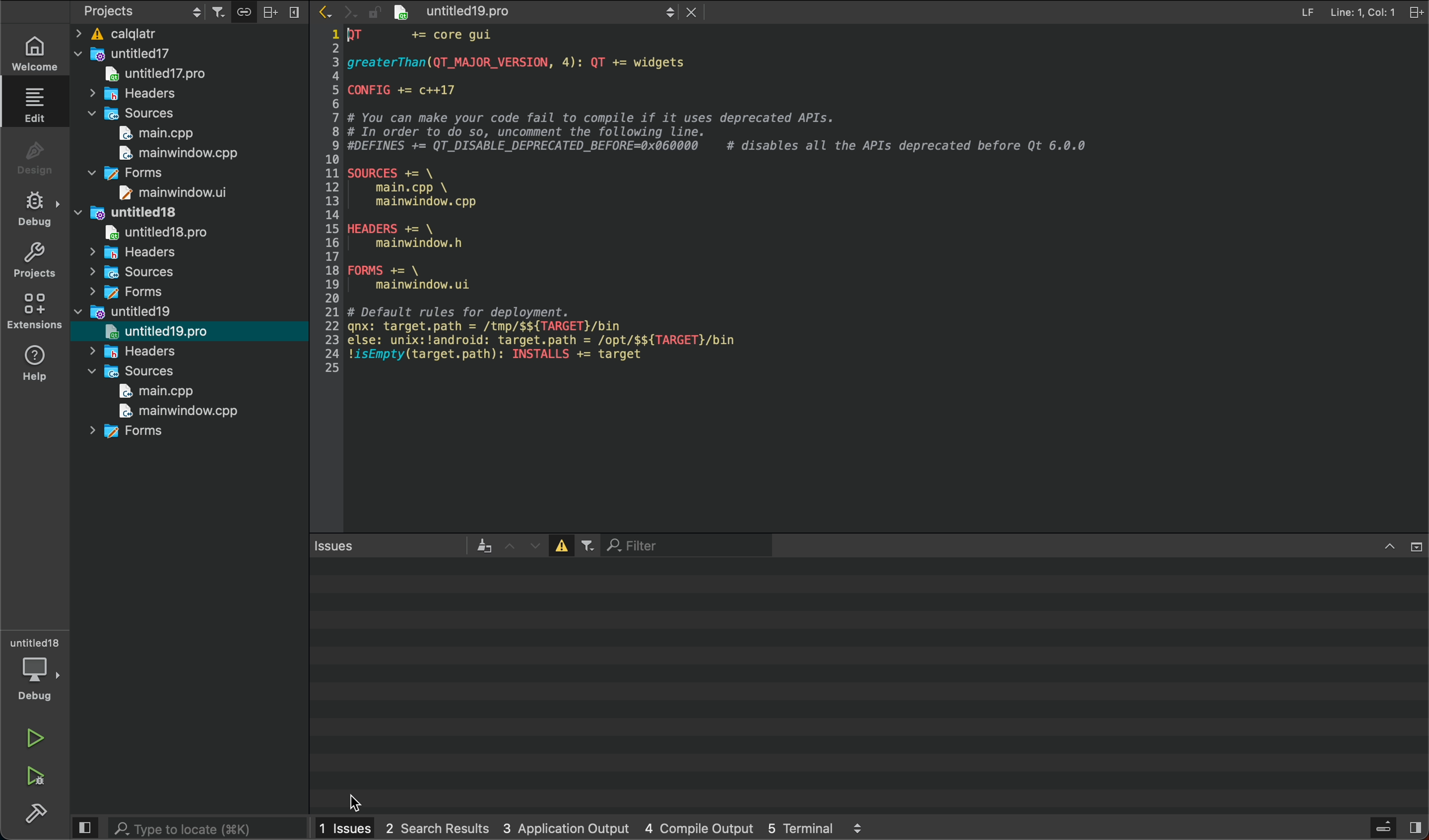  I want to click on mainwindow.ui, so click(188, 194).